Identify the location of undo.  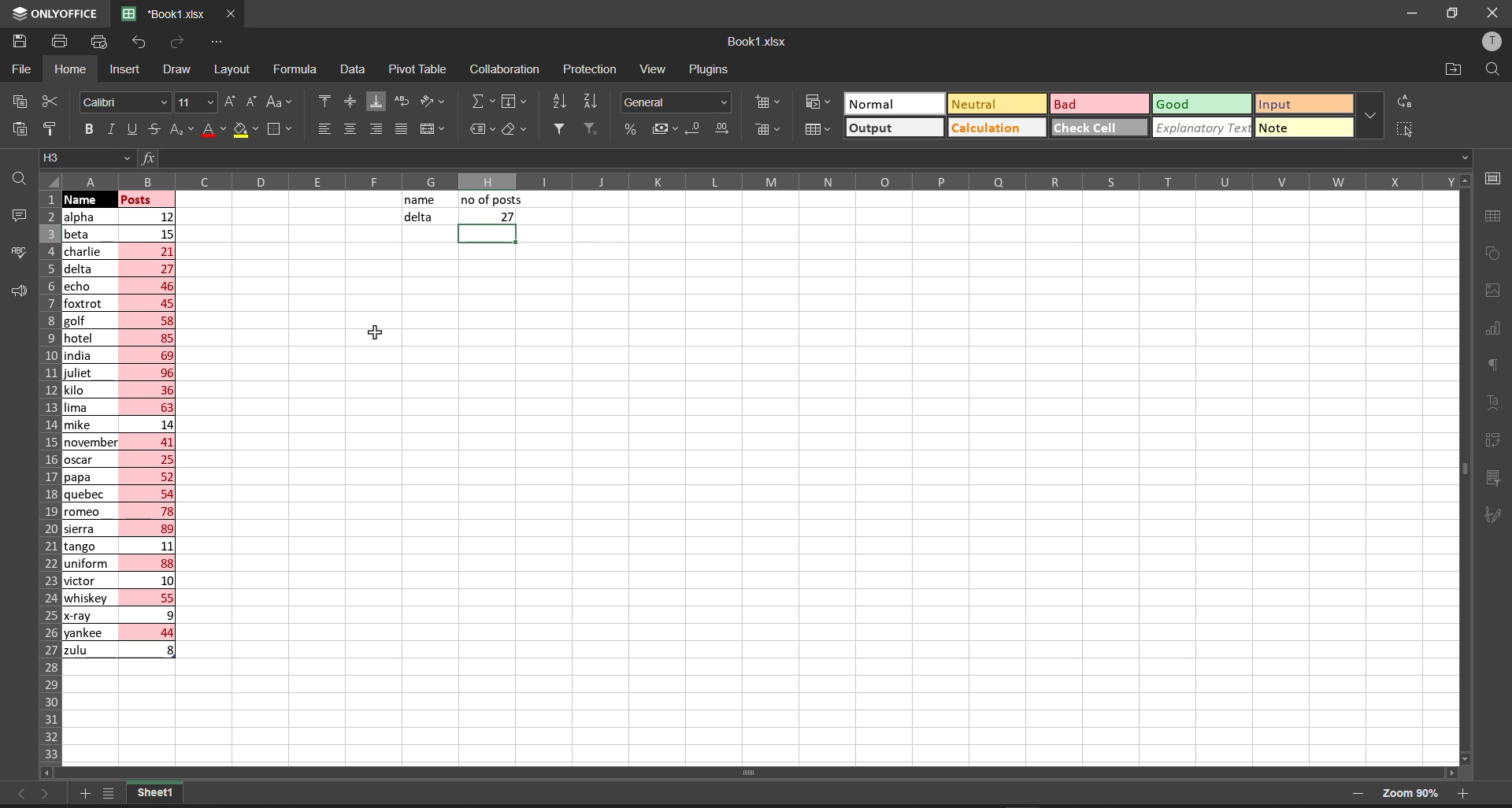
(138, 45).